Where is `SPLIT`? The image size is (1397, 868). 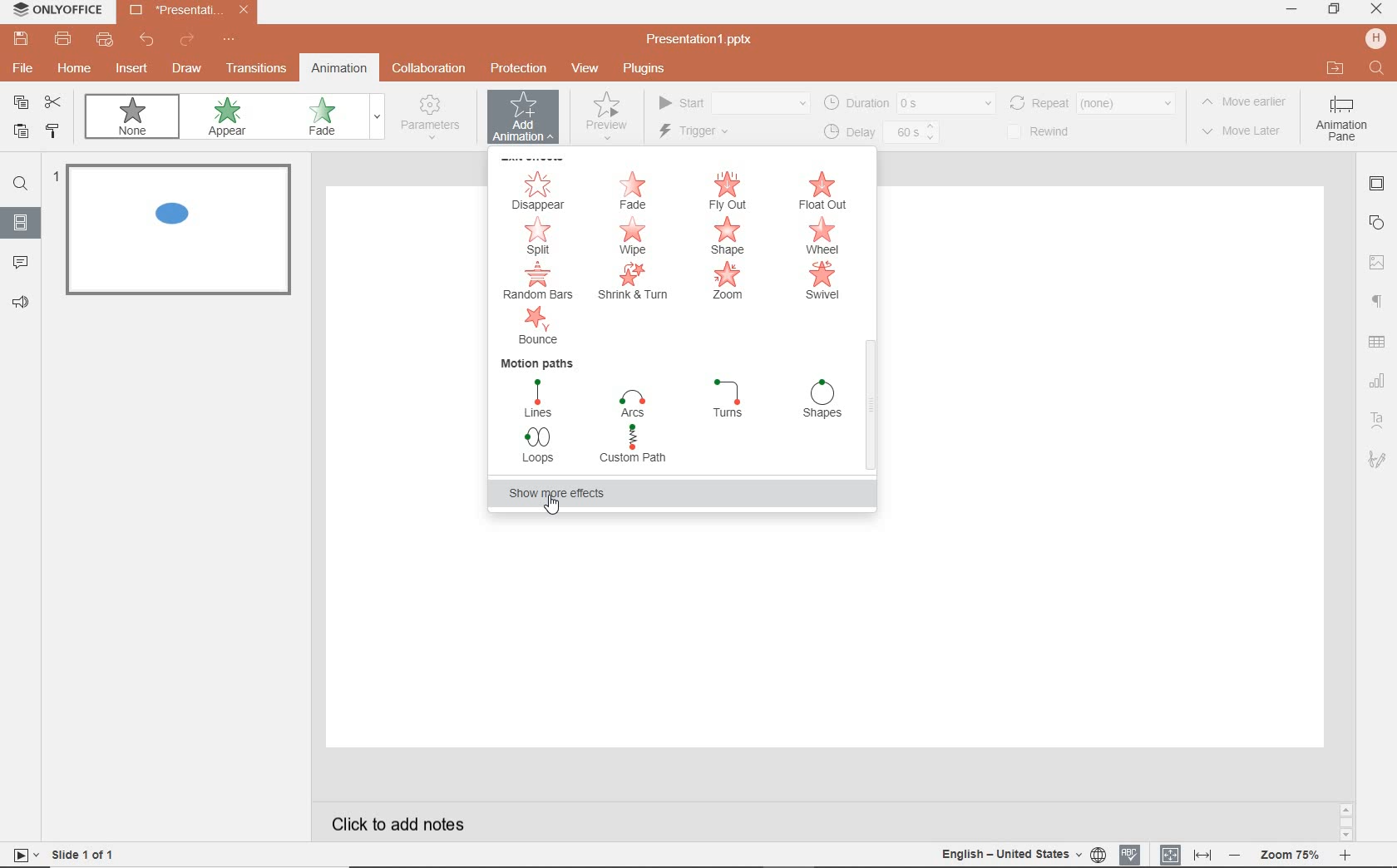
SPLIT is located at coordinates (541, 236).